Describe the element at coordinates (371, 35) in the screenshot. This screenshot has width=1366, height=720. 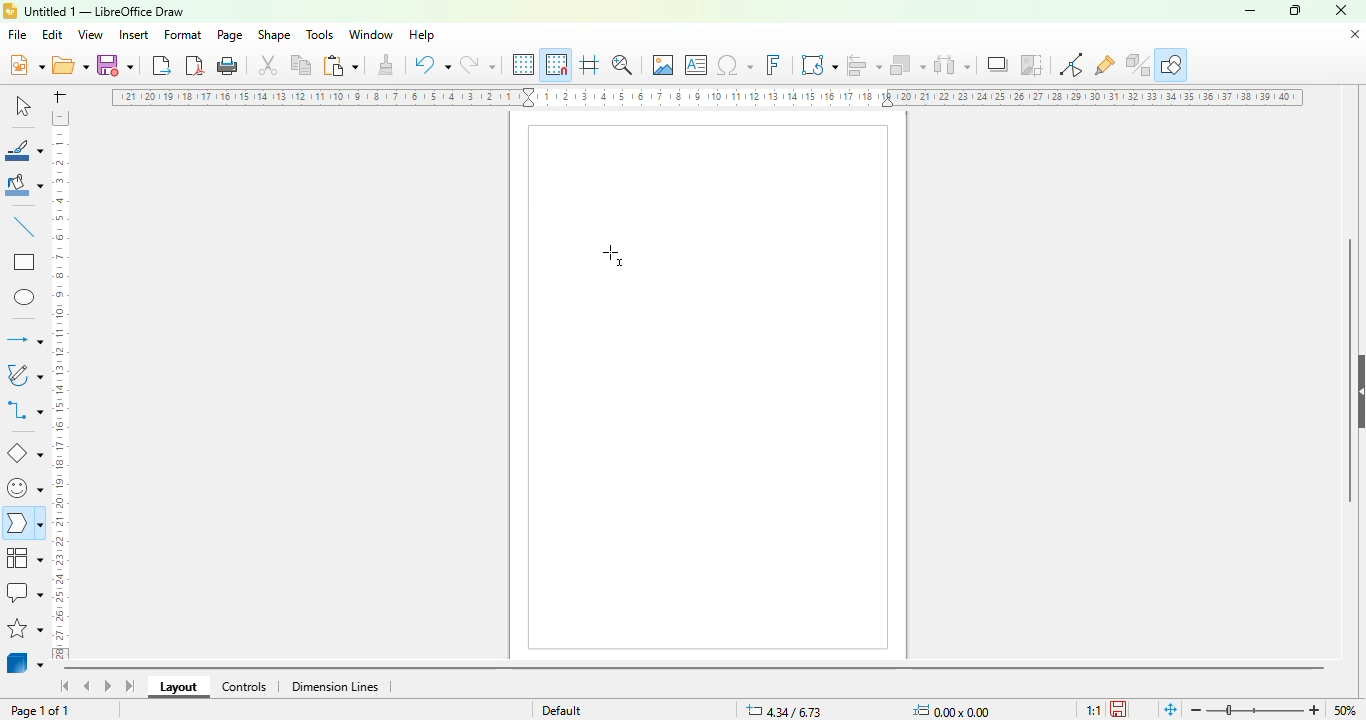
I see `window` at that location.